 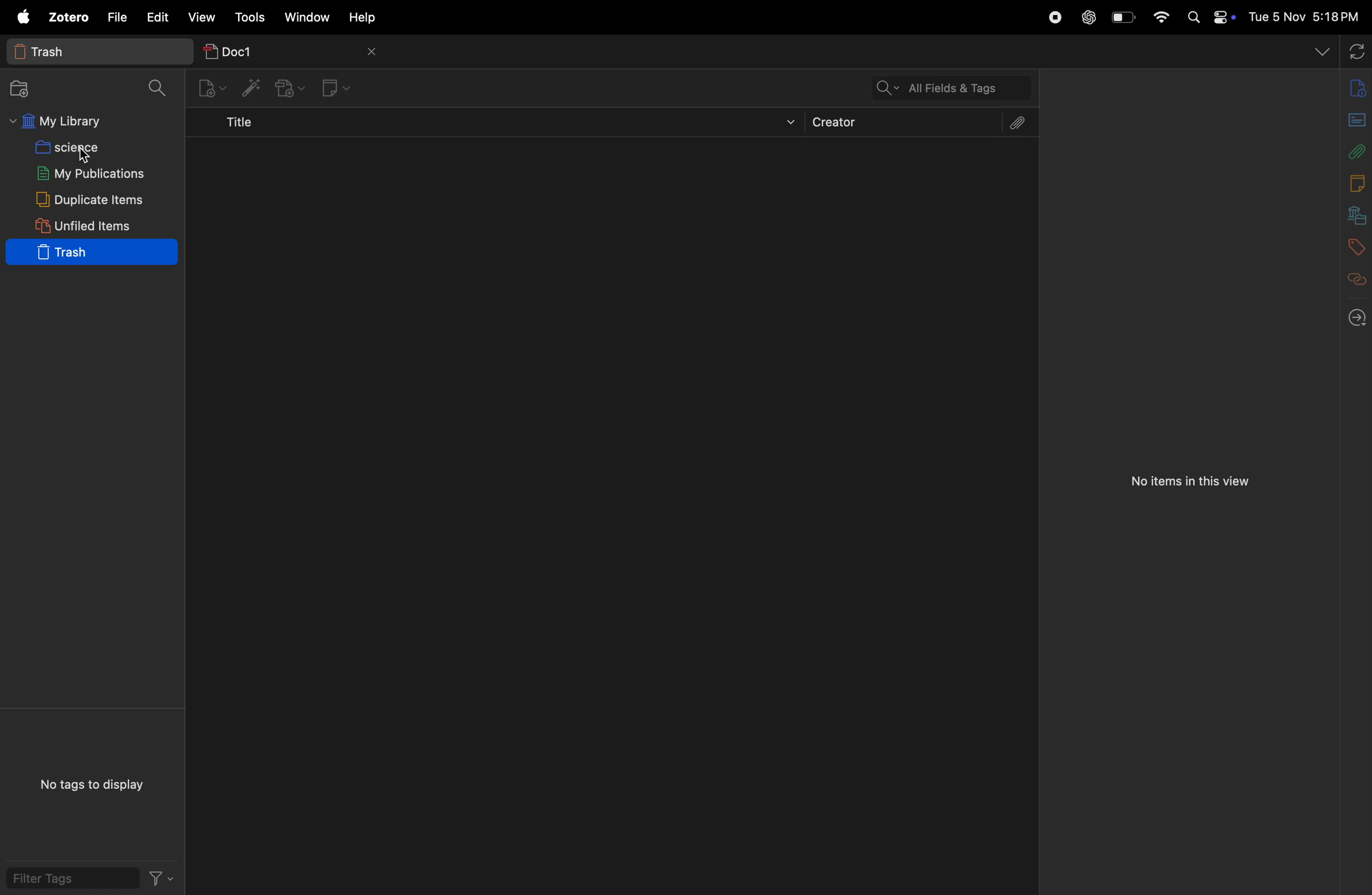 What do you see at coordinates (158, 17) in the screenshot?
I see `edit` at bounding box center [158, 17].